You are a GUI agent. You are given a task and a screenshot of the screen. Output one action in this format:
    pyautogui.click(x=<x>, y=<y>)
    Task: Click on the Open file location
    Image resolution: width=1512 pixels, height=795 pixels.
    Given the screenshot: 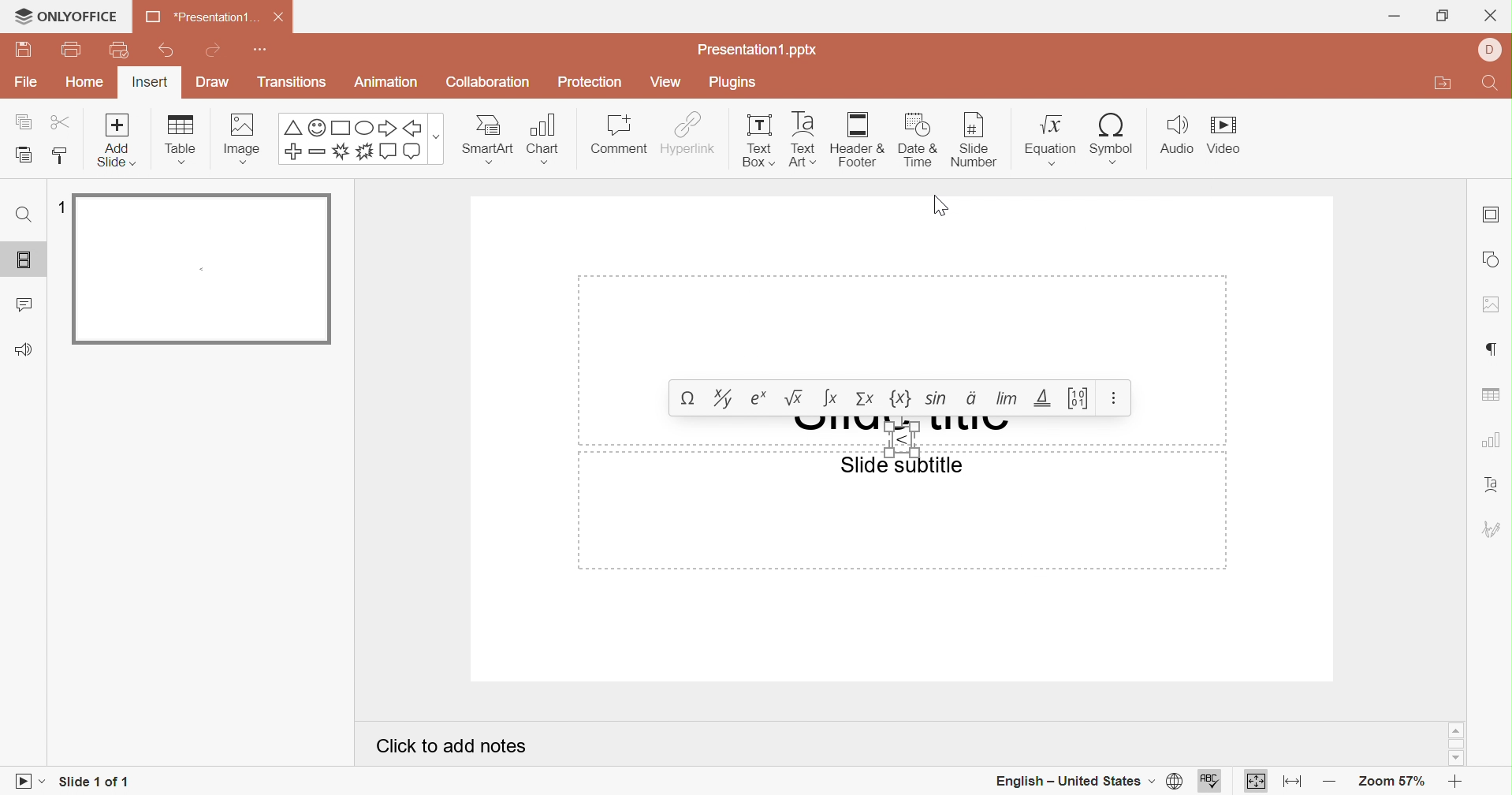 What is the action you would take?
    pyautogui.click(x=1443, y=86)
    